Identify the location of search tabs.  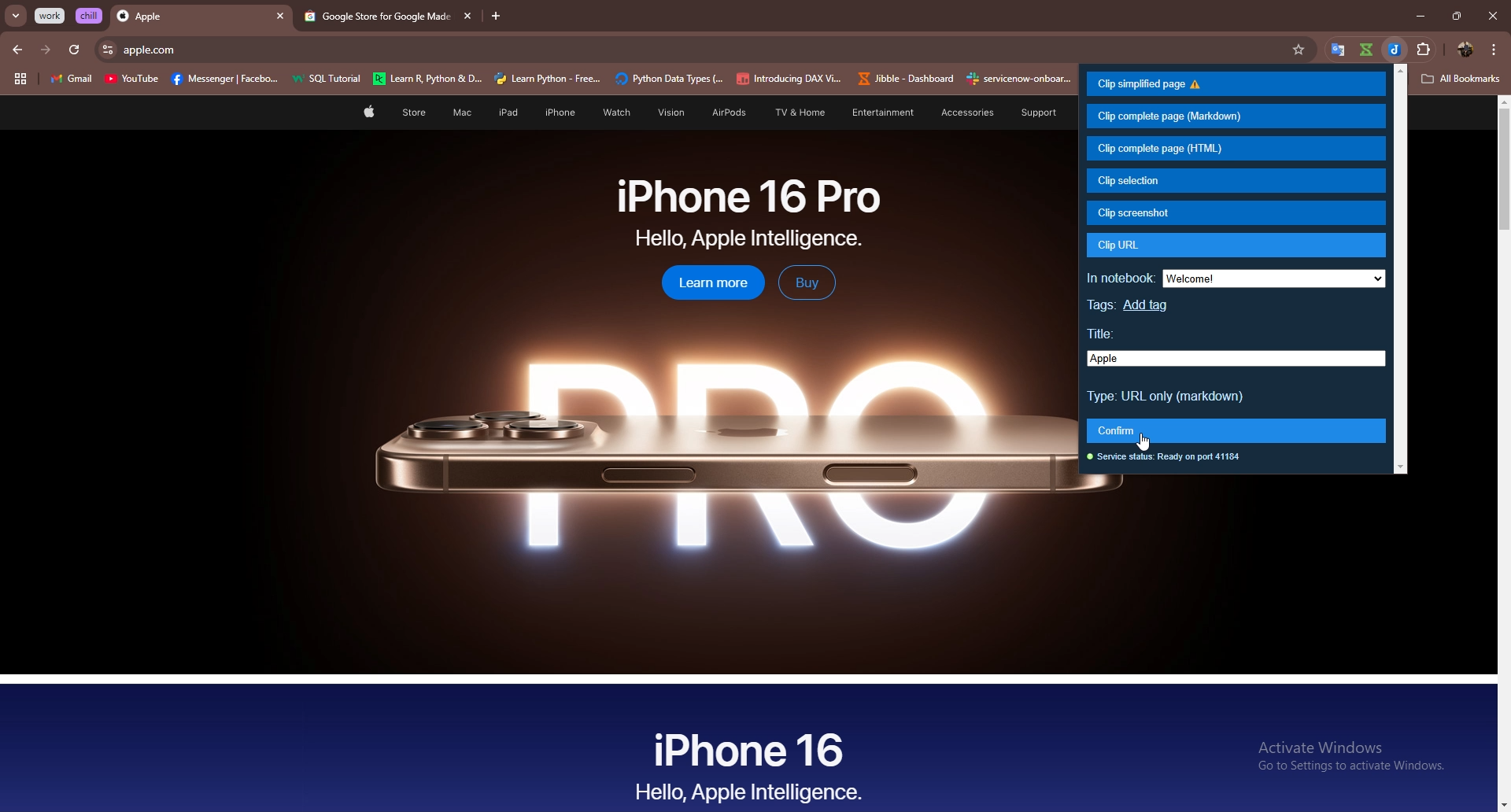
(17, 17).